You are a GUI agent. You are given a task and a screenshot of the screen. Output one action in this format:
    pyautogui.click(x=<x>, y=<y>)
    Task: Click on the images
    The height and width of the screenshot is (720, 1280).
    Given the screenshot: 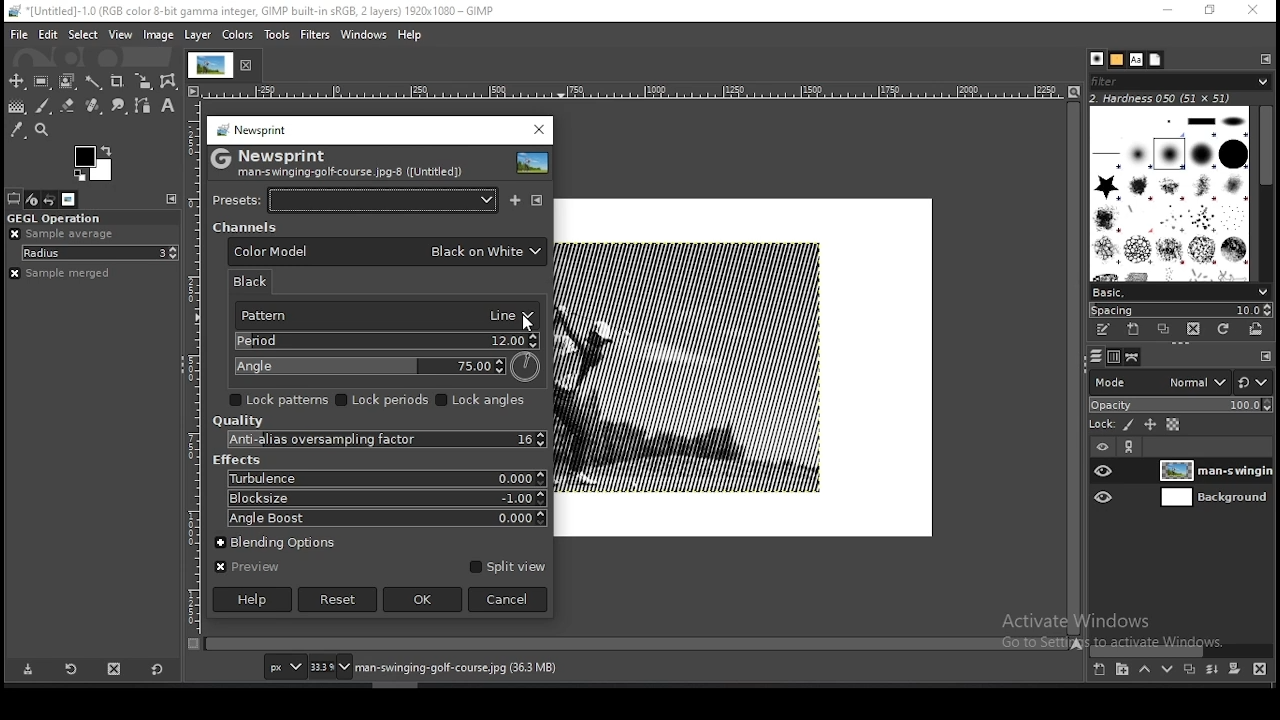 What is the action you would take?
    pyautogui.click(x=67, y=199)
    